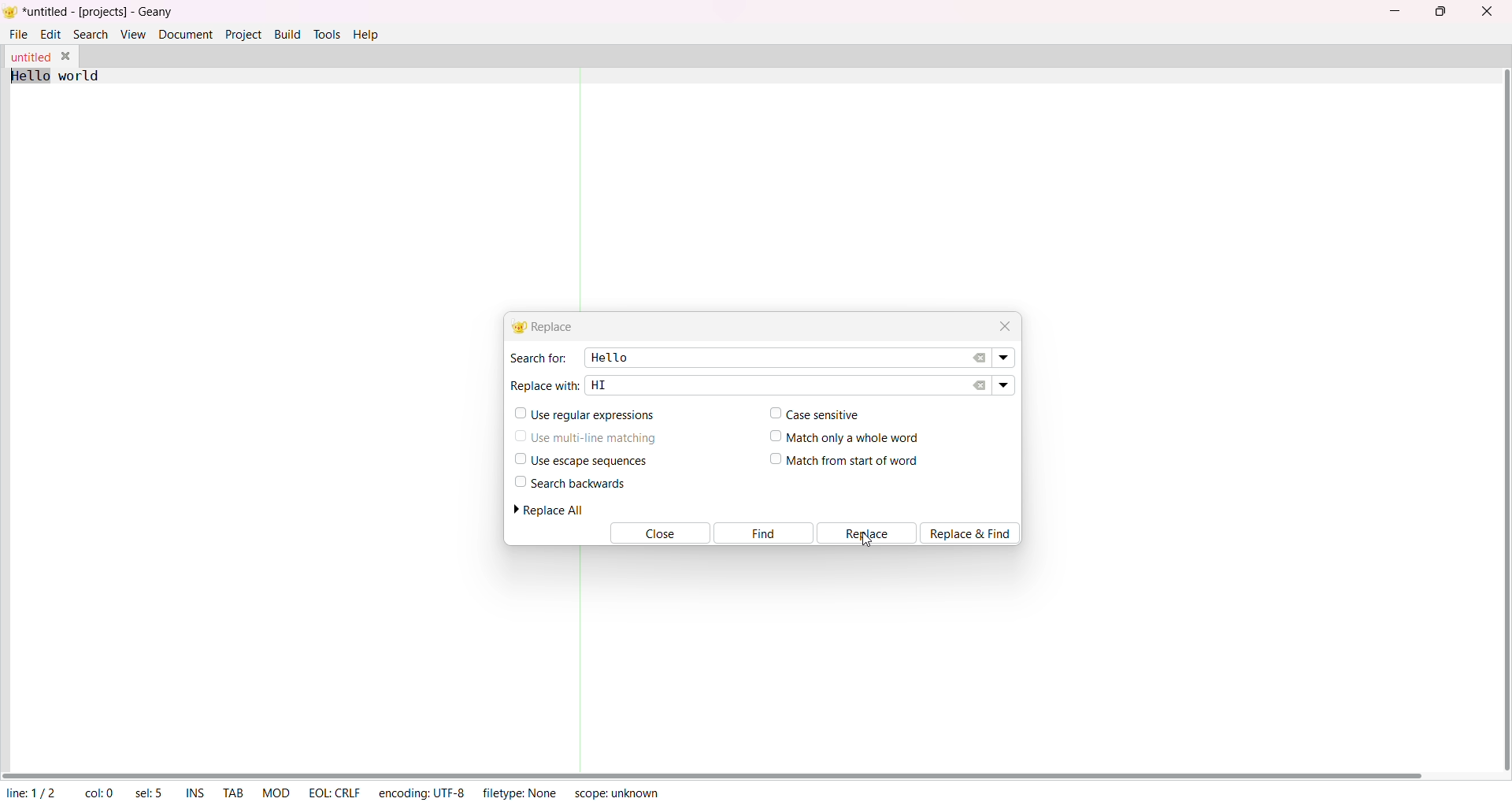 Image resolution: width=1512 pixels, height=802 pixels. I want to click on *untitled-[projects]-Geany, so click(113, 12).